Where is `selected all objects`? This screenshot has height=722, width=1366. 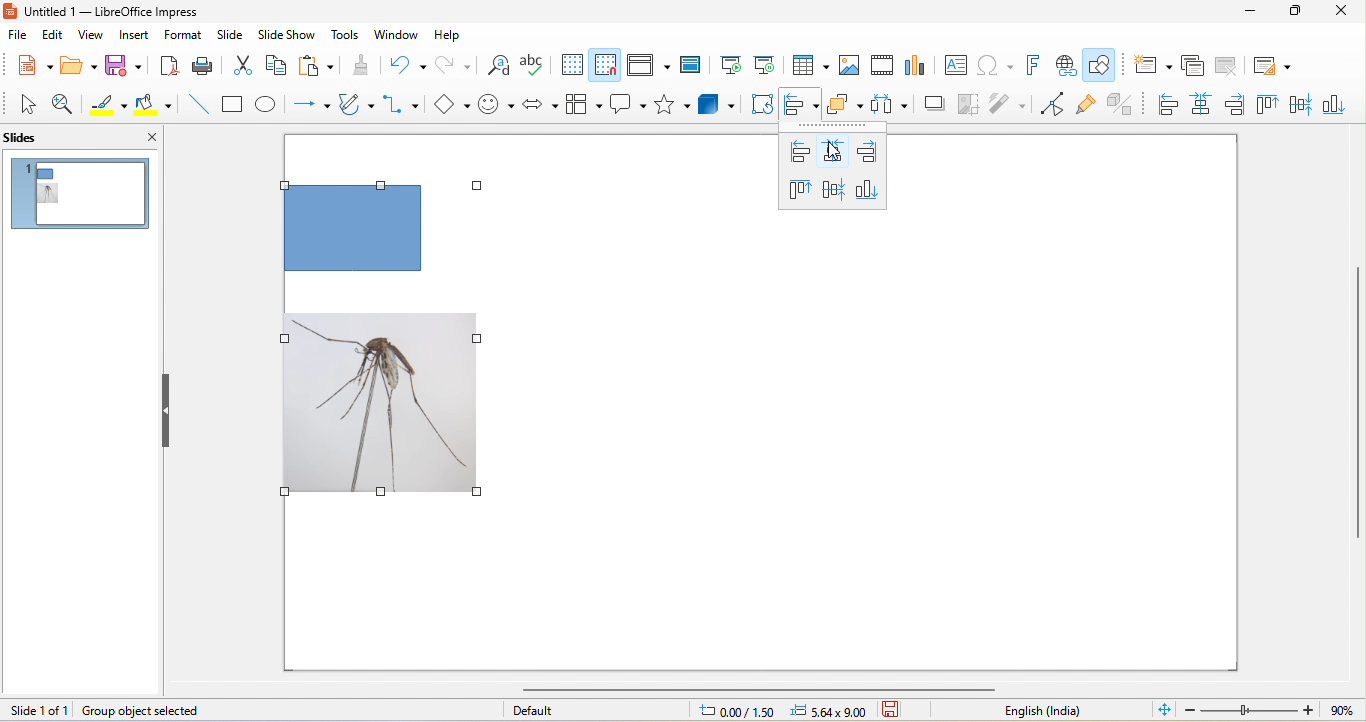
selected all objects is located at coordinates (395, 335).